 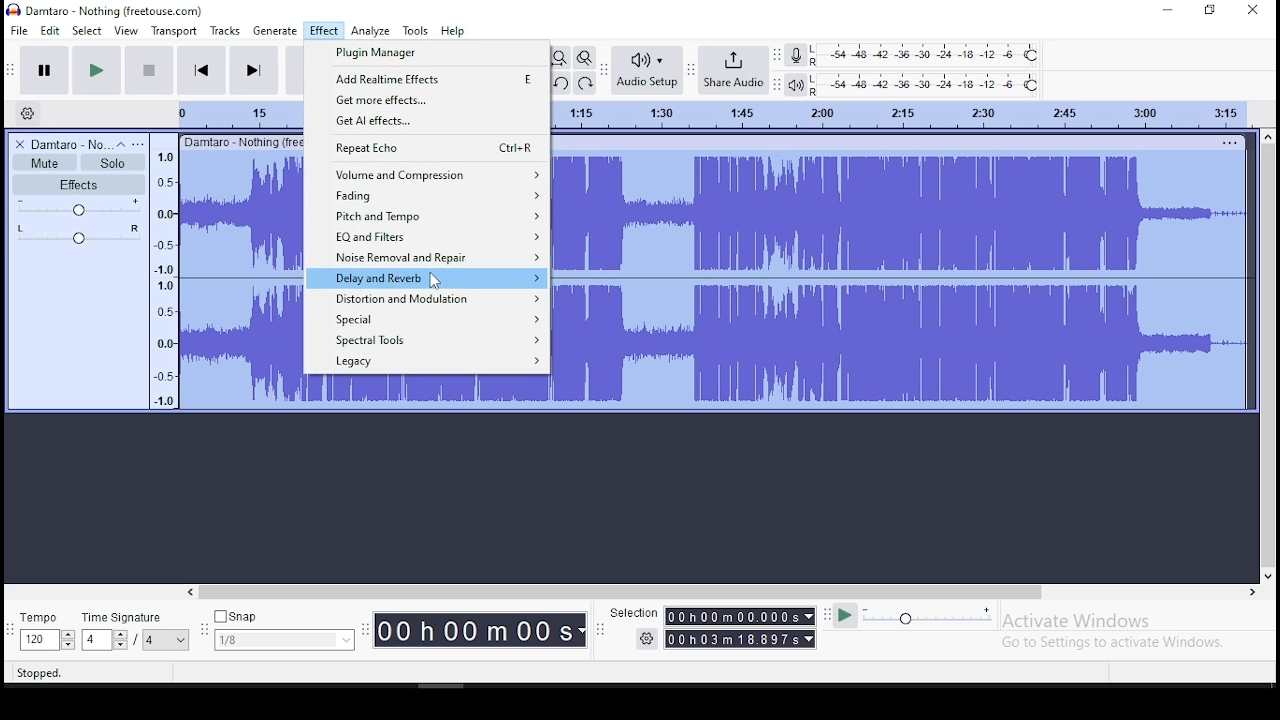 What do you see at coordinates (846, 618) in the screenshot?
I see `play` at bounding box center [846, 618].